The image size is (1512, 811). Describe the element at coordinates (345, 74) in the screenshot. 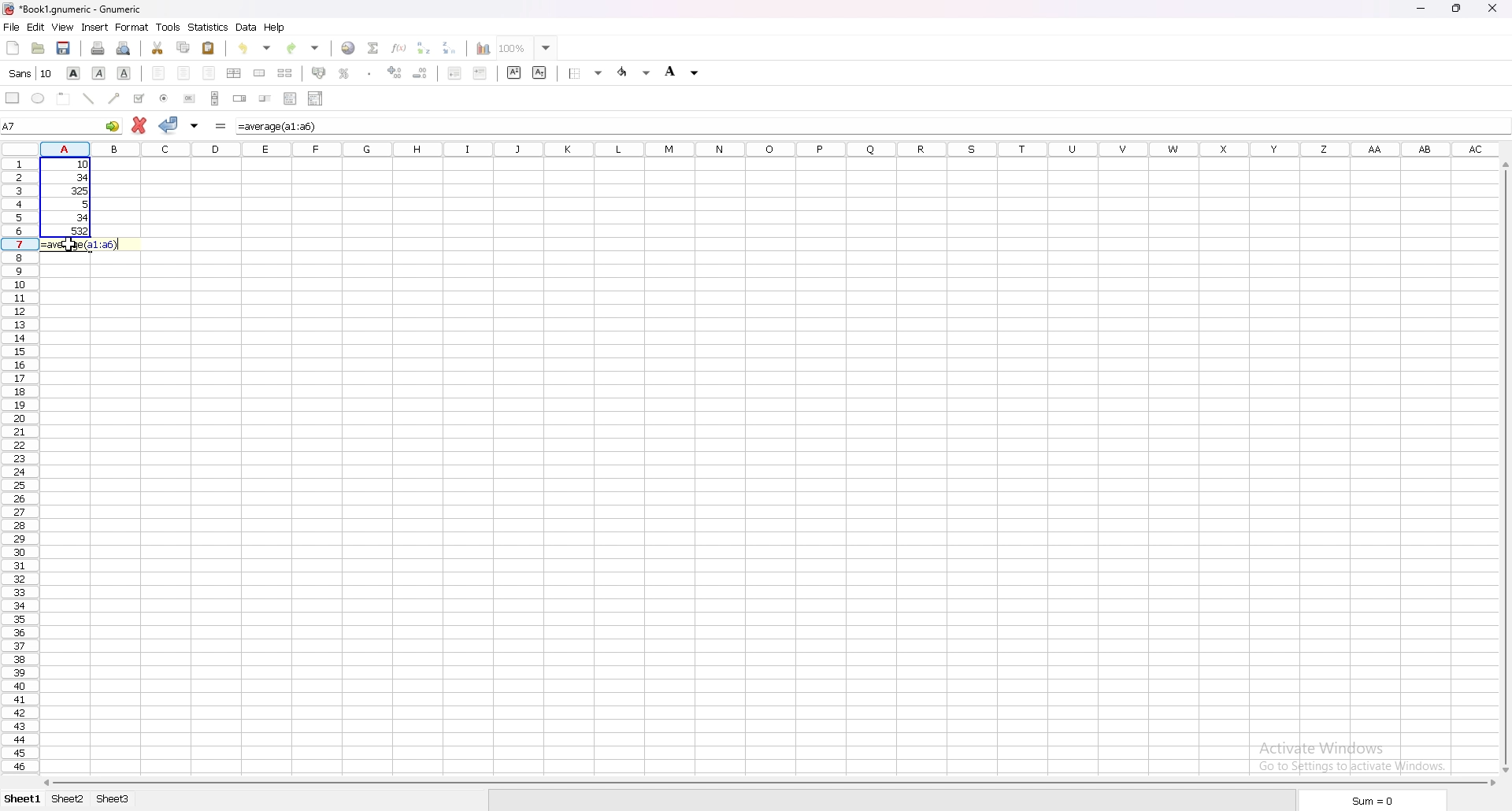

I see `percentage` at that location.